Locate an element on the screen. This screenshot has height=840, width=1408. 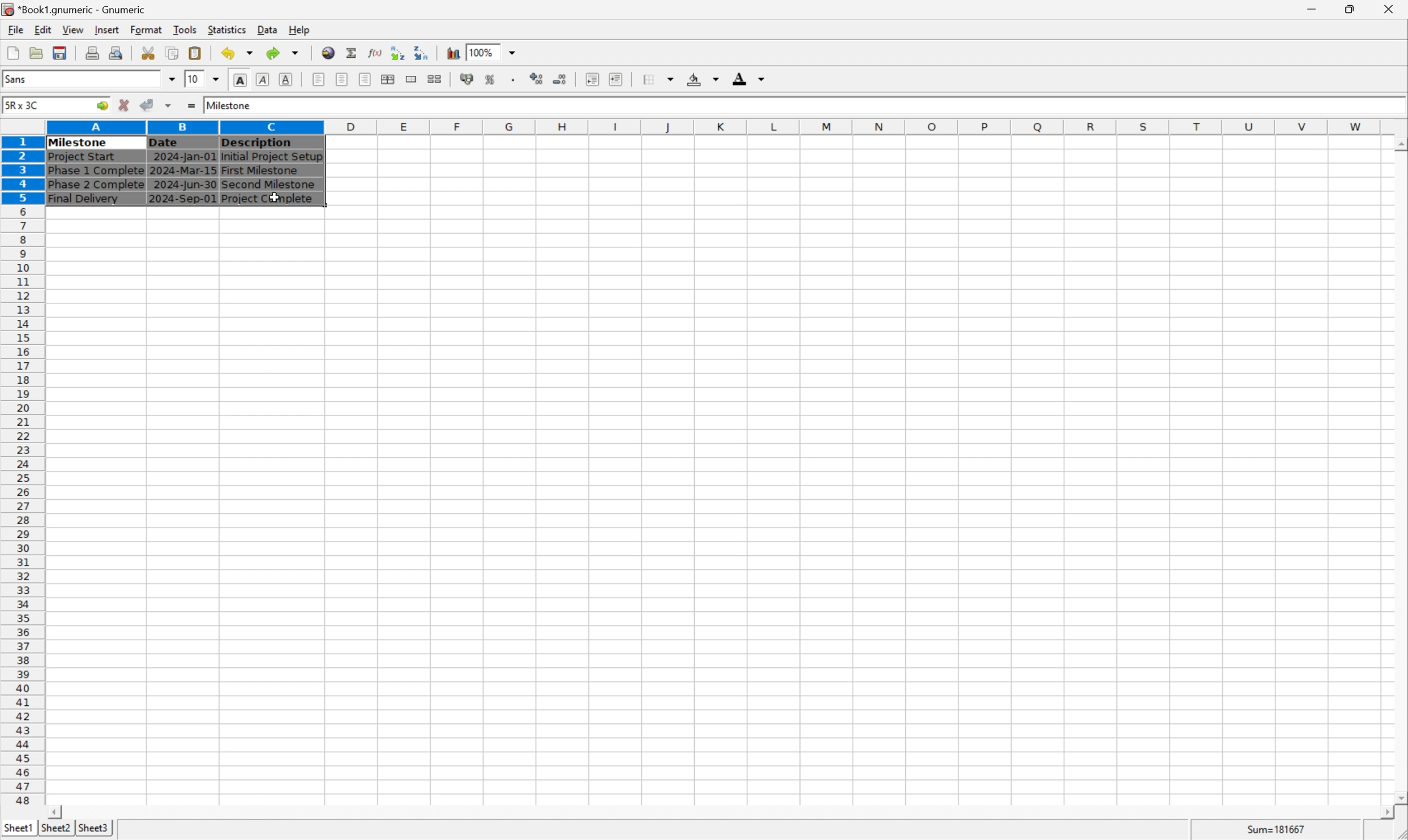
help is located at coordinates (299, 28).